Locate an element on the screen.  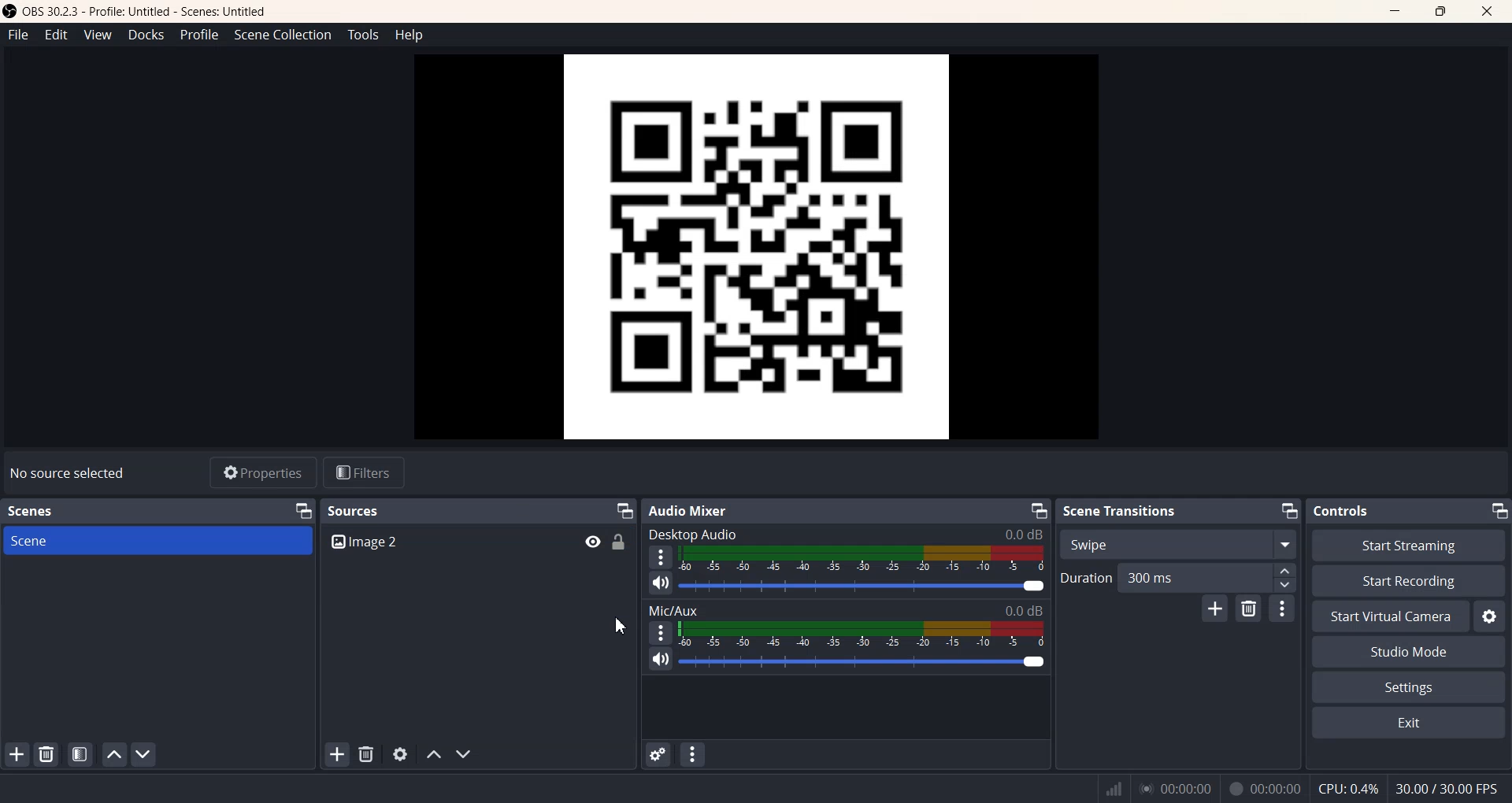
Move Scene Up is located at coordinates (115, 753).